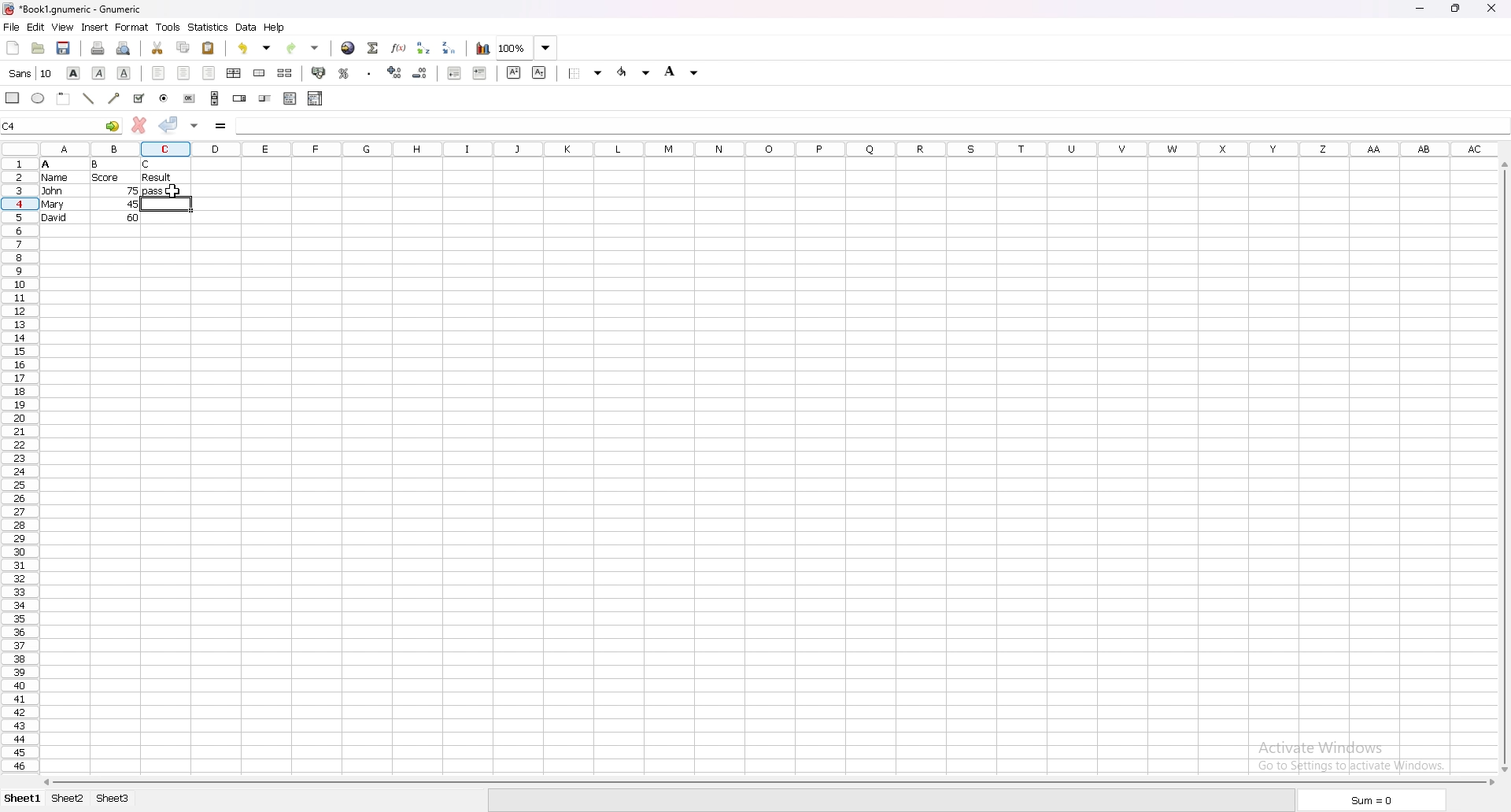  Describe the element at coordinates (190, 98) in the screenshot. I see `button` at that location.